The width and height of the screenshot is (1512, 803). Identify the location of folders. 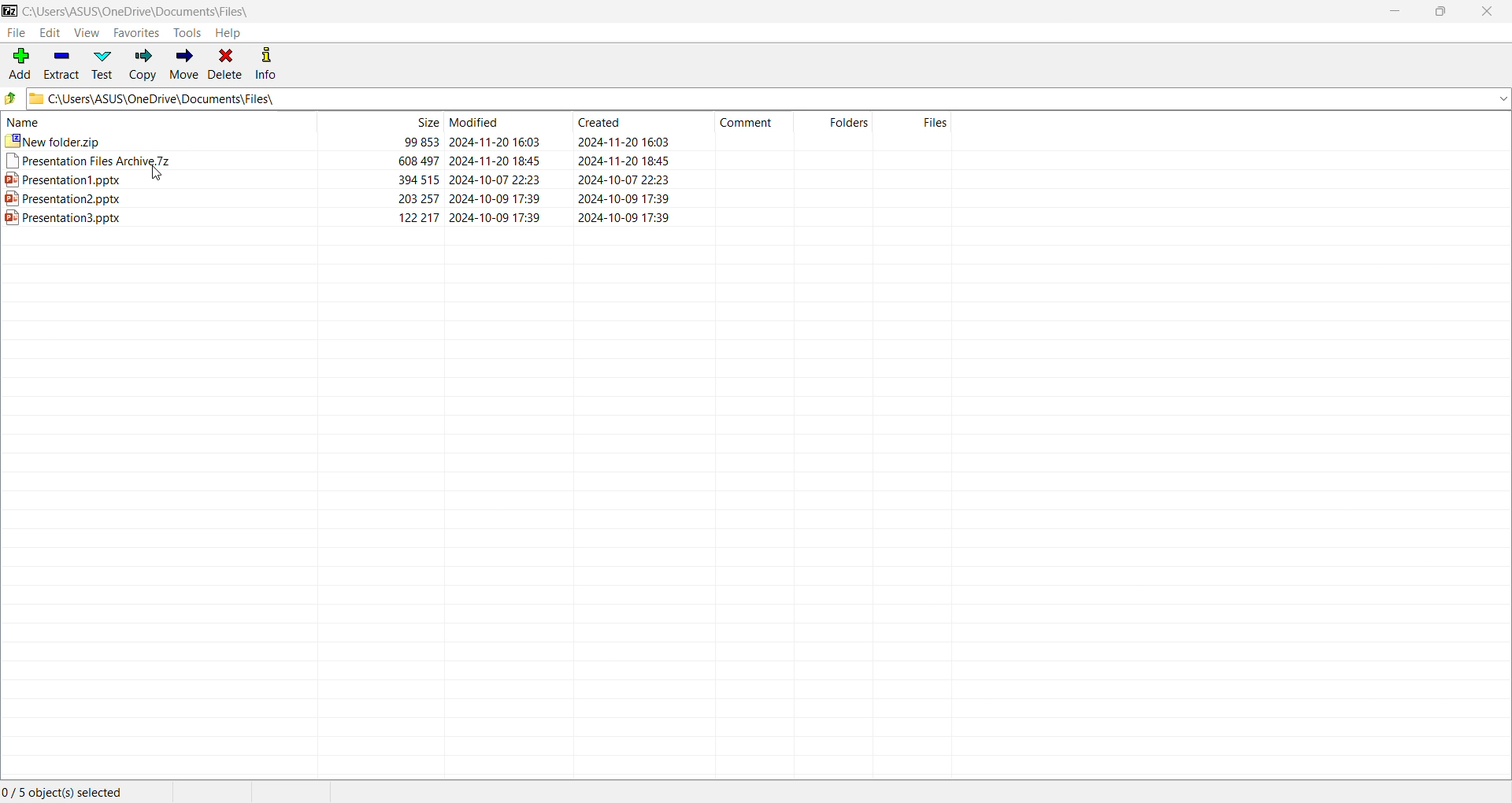
(837, 121).